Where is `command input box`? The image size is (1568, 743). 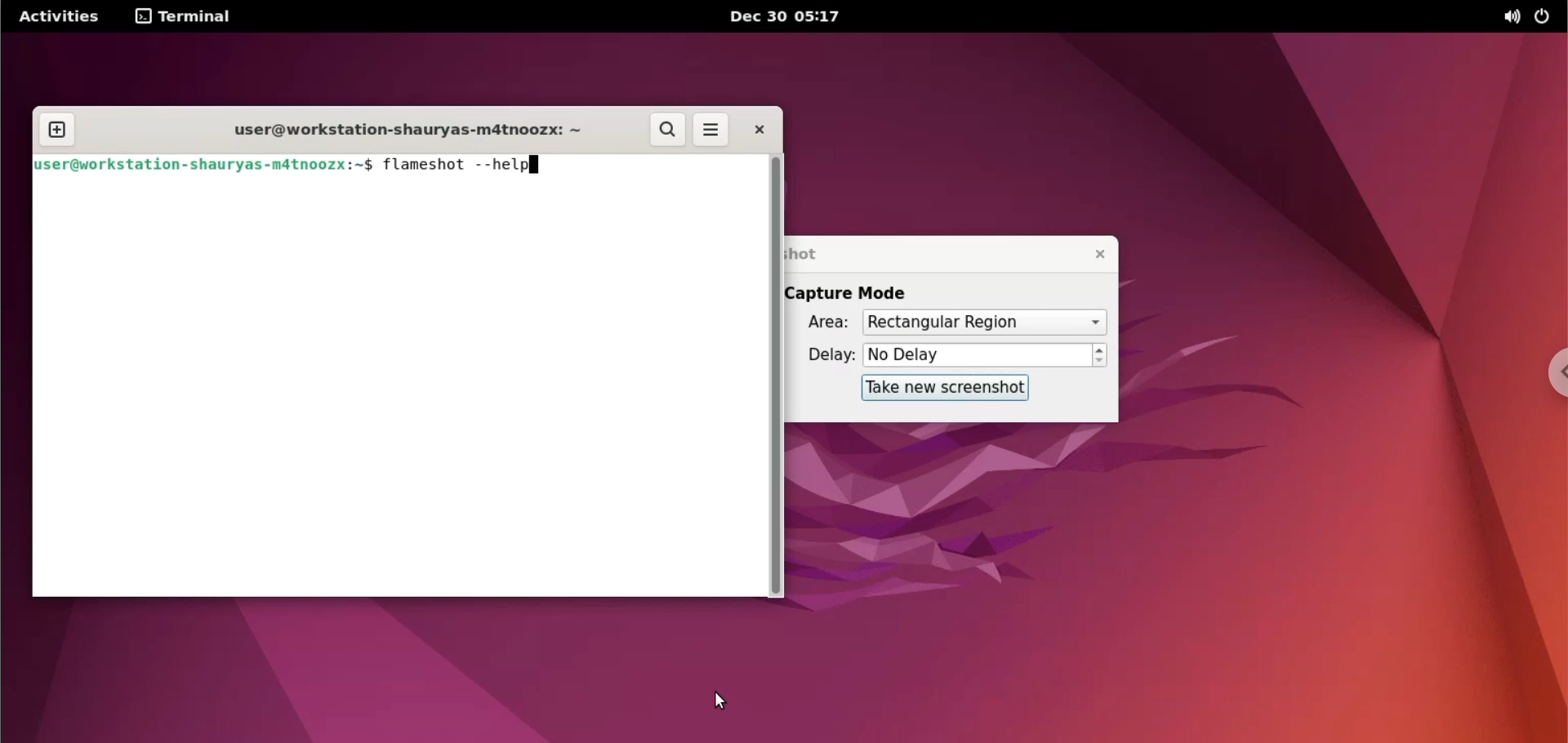
command input box is located at coordinates (398, 387).